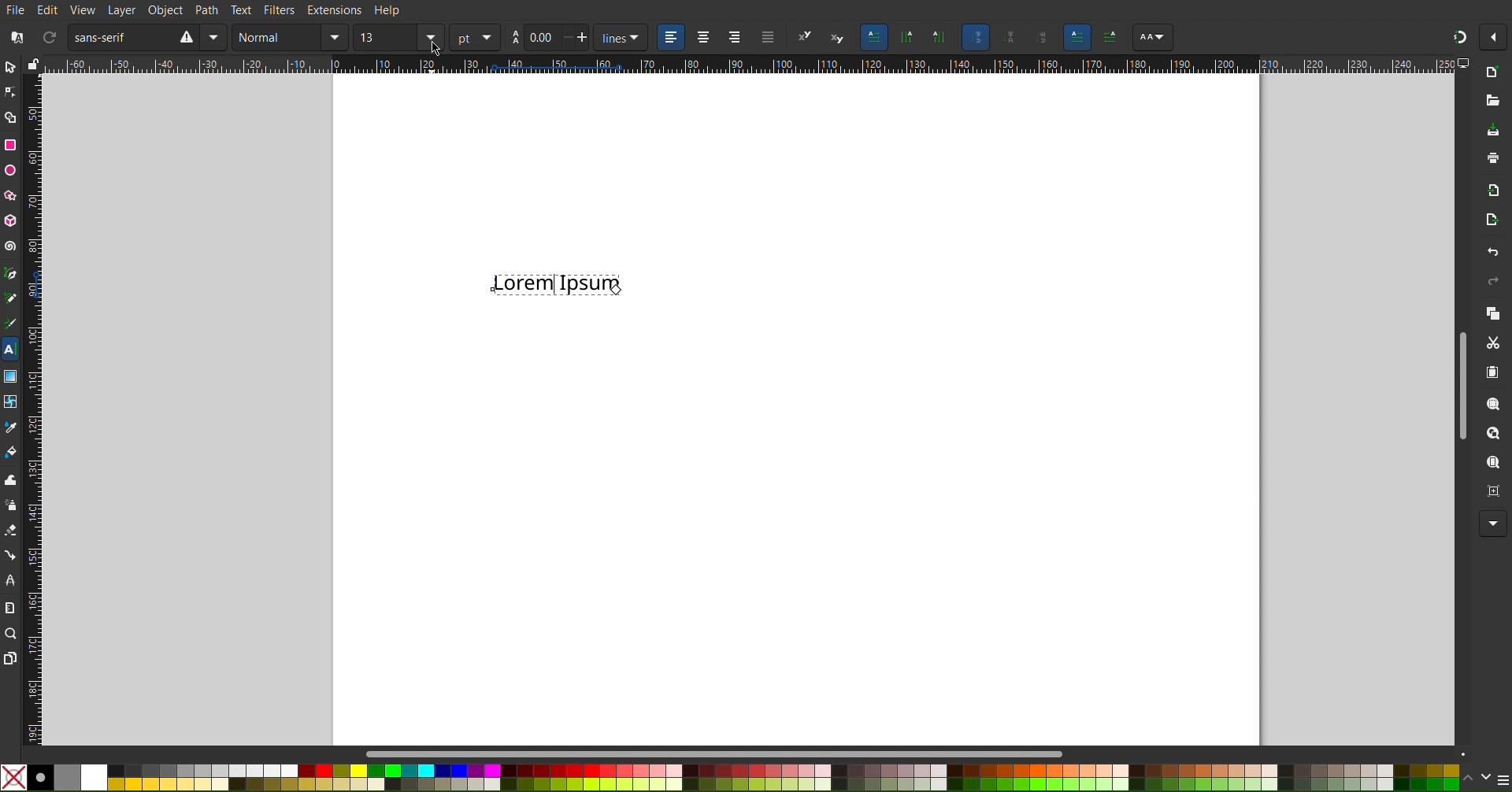  Describe the element at coordinates (669, 36) in the screenshot. I see `left align` at that location.